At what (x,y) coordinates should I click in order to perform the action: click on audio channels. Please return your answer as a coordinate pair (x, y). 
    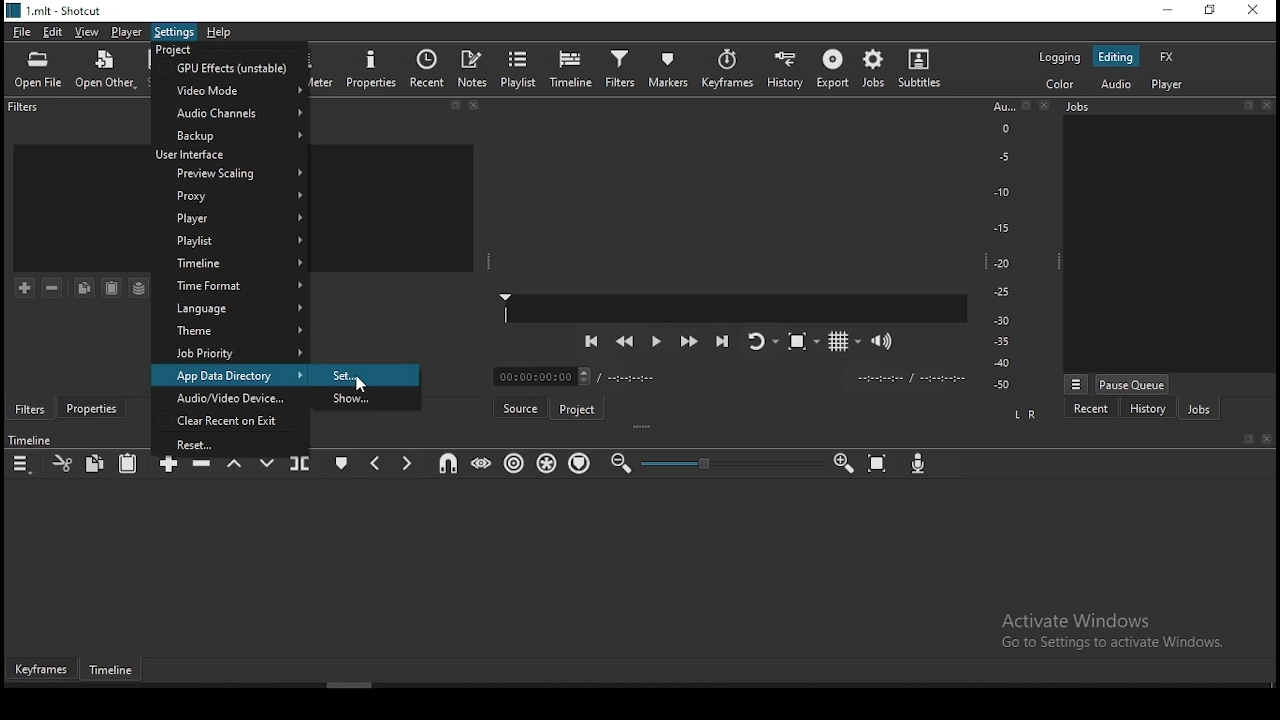
    Looking at the image, I should click on (231, 115).